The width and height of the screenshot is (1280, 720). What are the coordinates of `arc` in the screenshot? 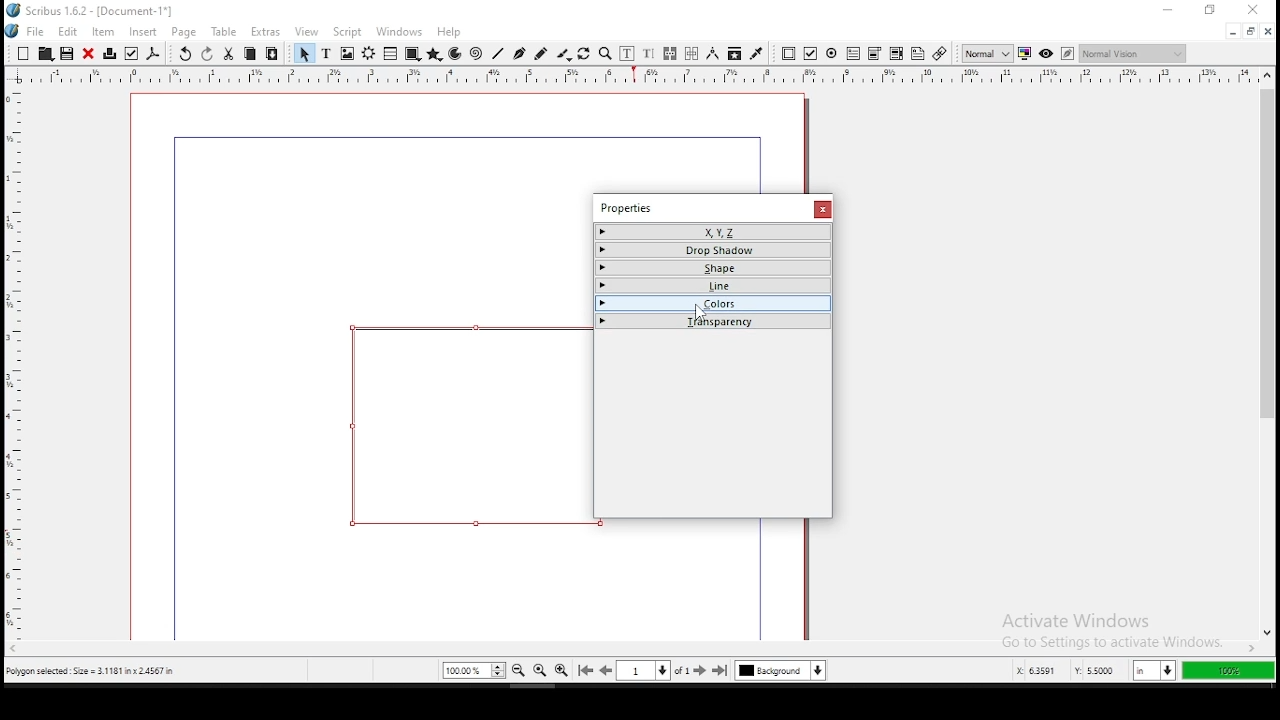 It's located at (456, 54).